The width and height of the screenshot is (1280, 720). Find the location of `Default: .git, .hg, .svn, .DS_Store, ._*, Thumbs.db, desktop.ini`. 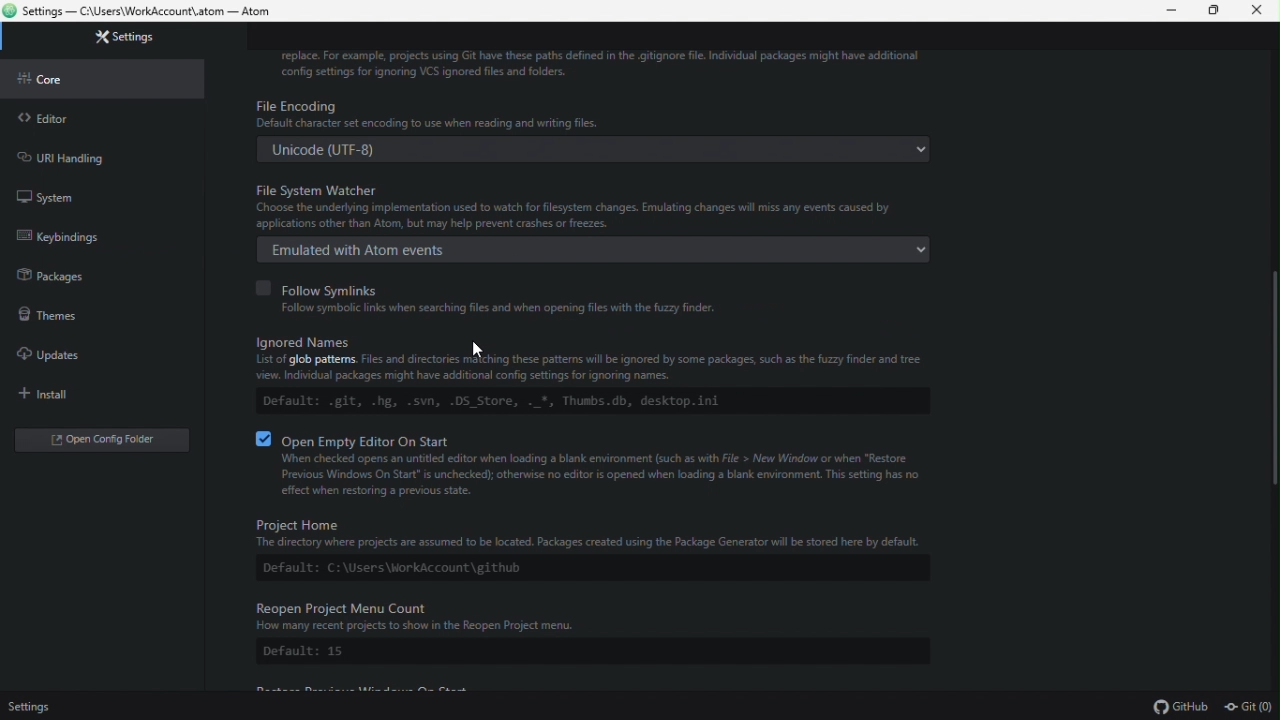

Default: .git, .hg, .svn, .DS_Store, ._*, Thumbs.db, desktop.ini is located at coordinates (484, 401).